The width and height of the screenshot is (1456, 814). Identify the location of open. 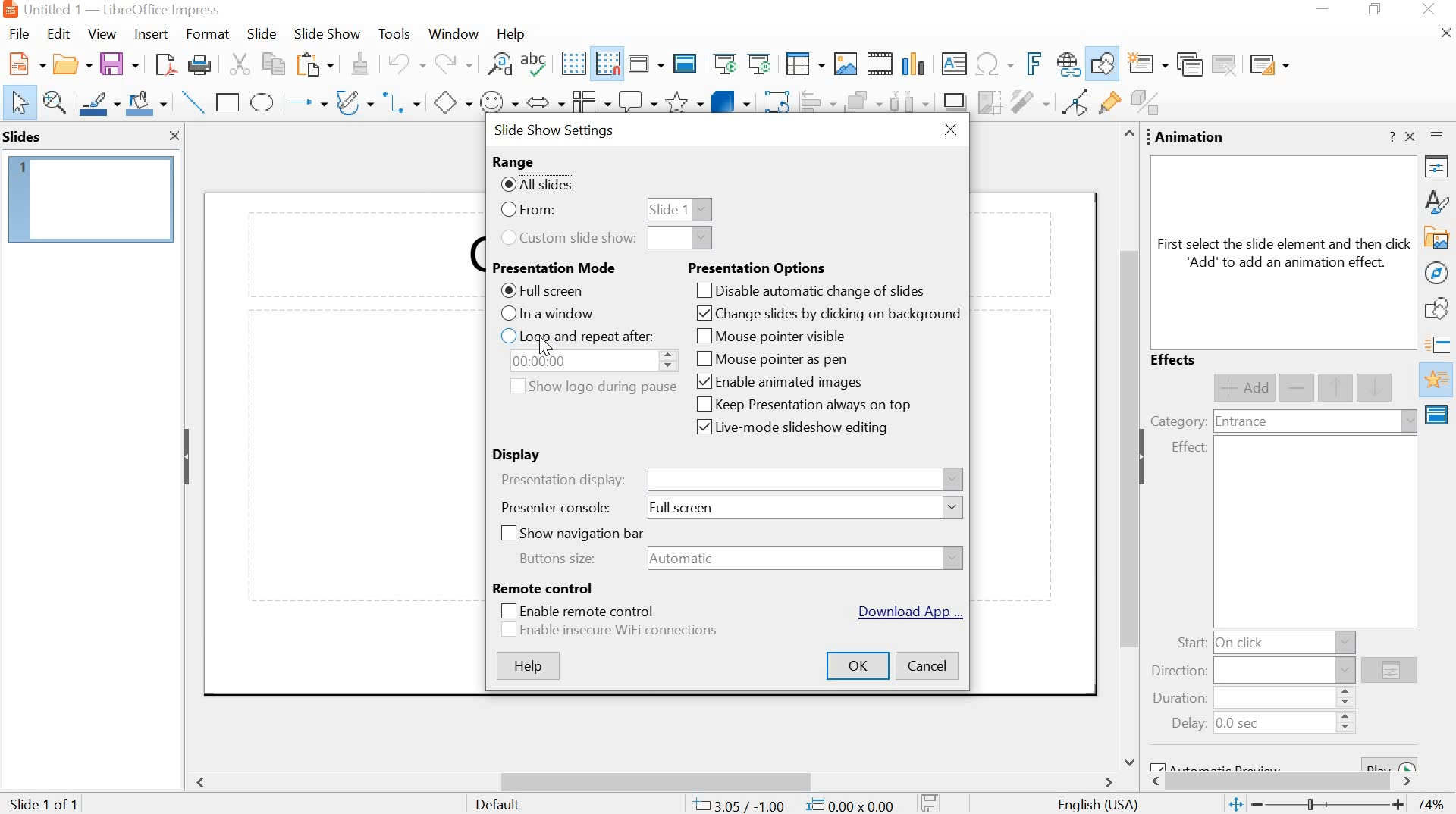
(70, 65).